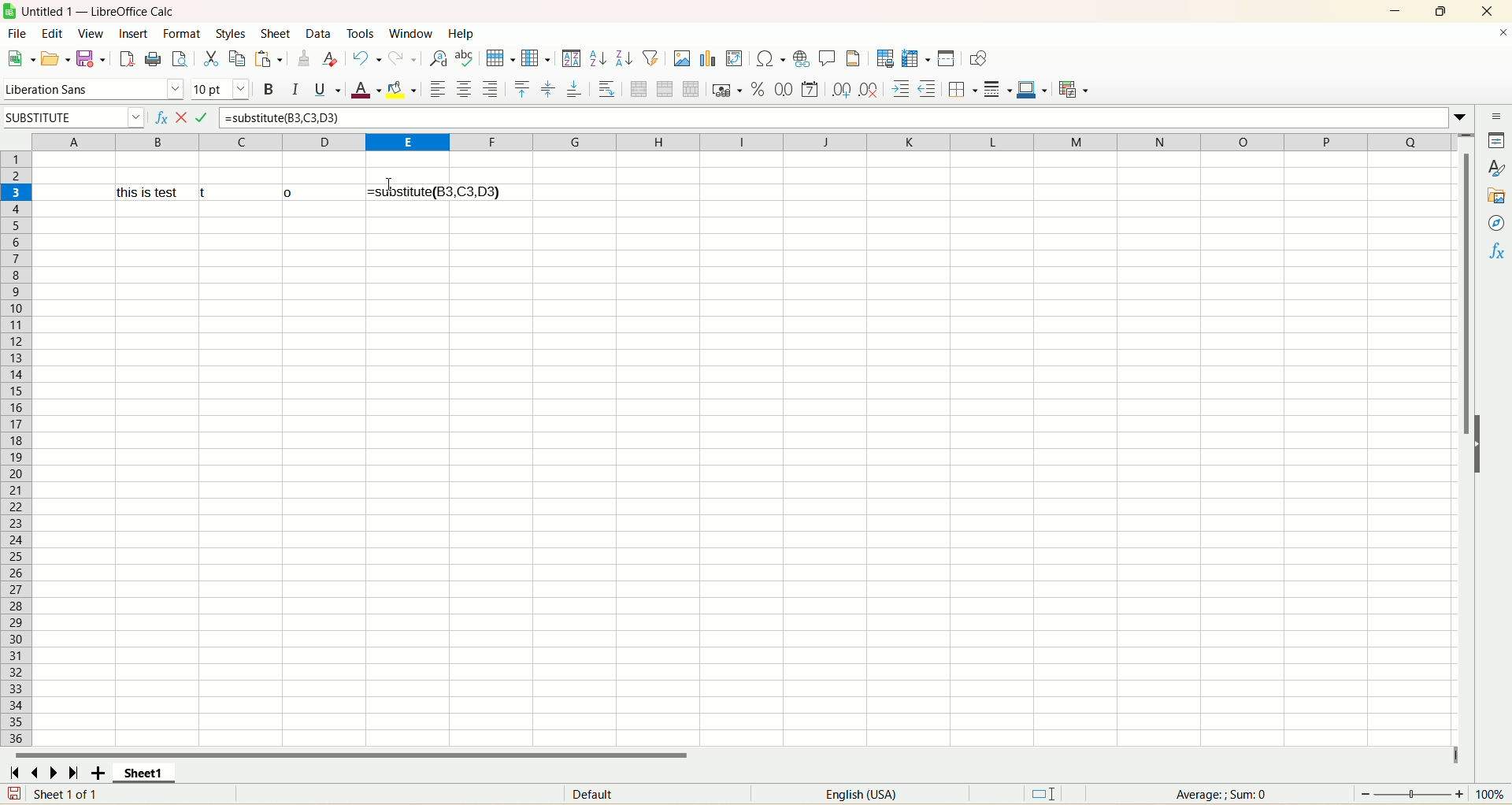  What do you see at coordinates (691, 89) in the screenshot?
I see `unmerge cells` at bounding box center [691, 89].